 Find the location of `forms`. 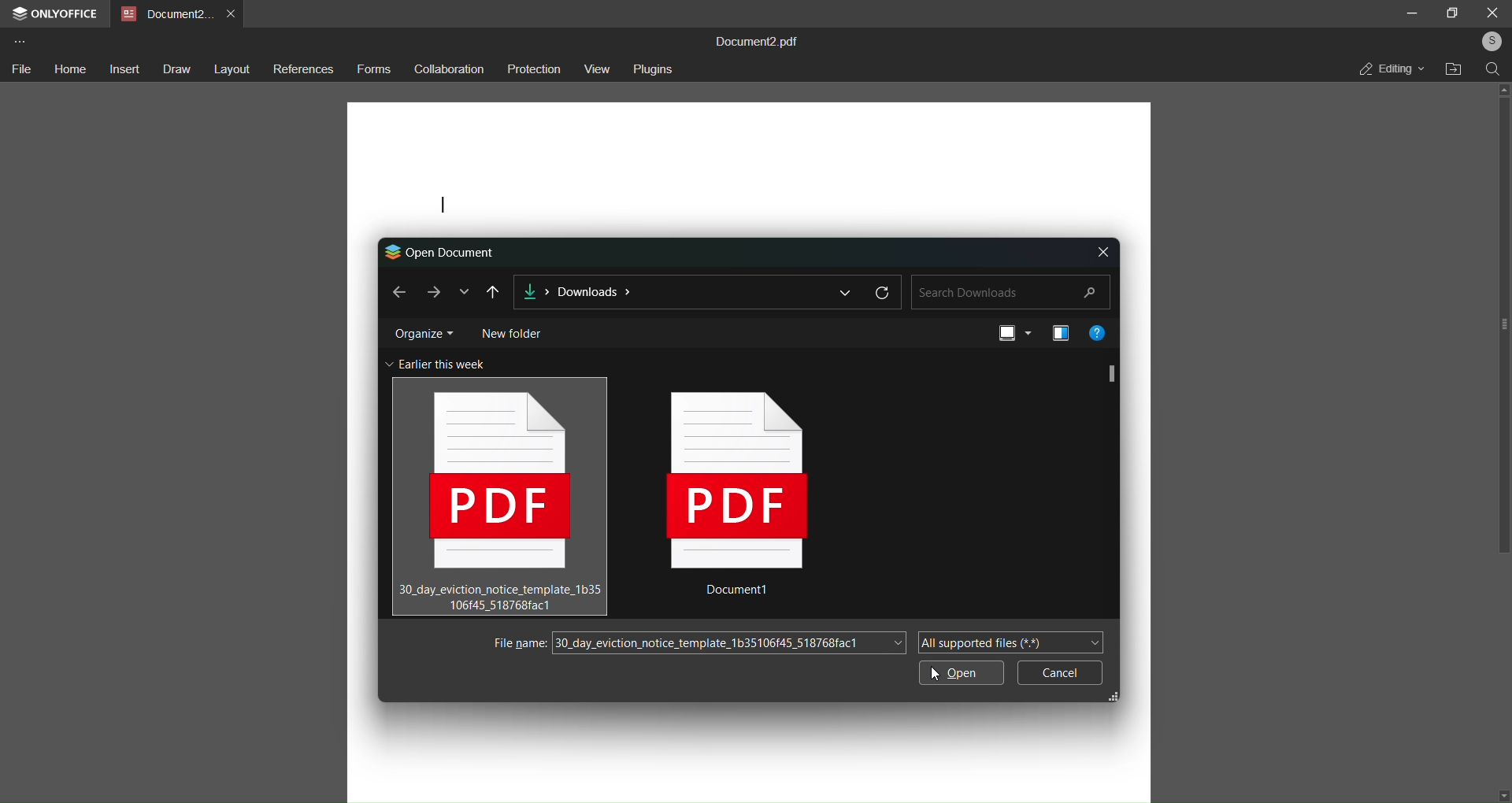

forms is located at coordinates (373, 69).